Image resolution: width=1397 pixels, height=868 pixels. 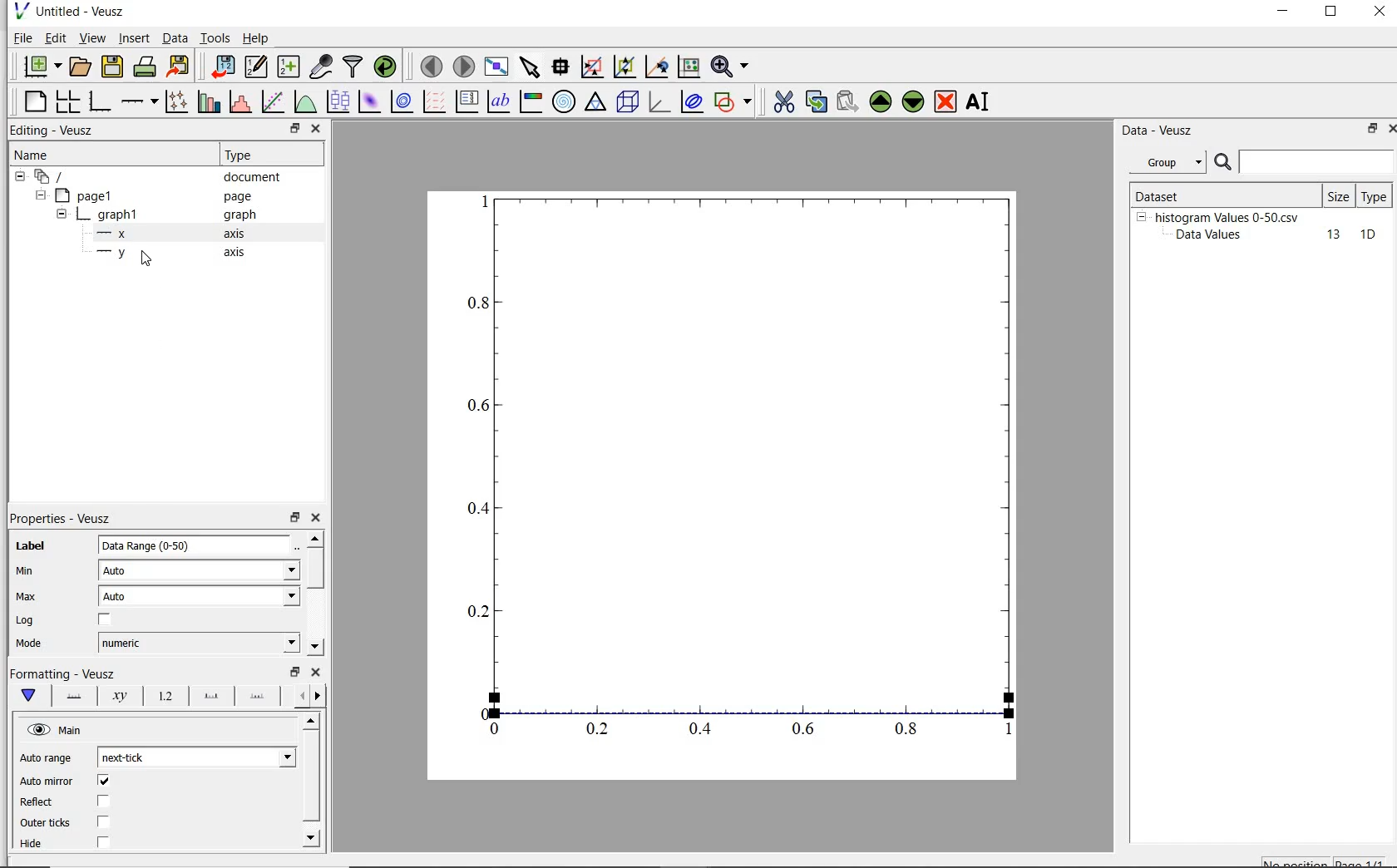 I want to click on restore down, so click(x=294, y=129).